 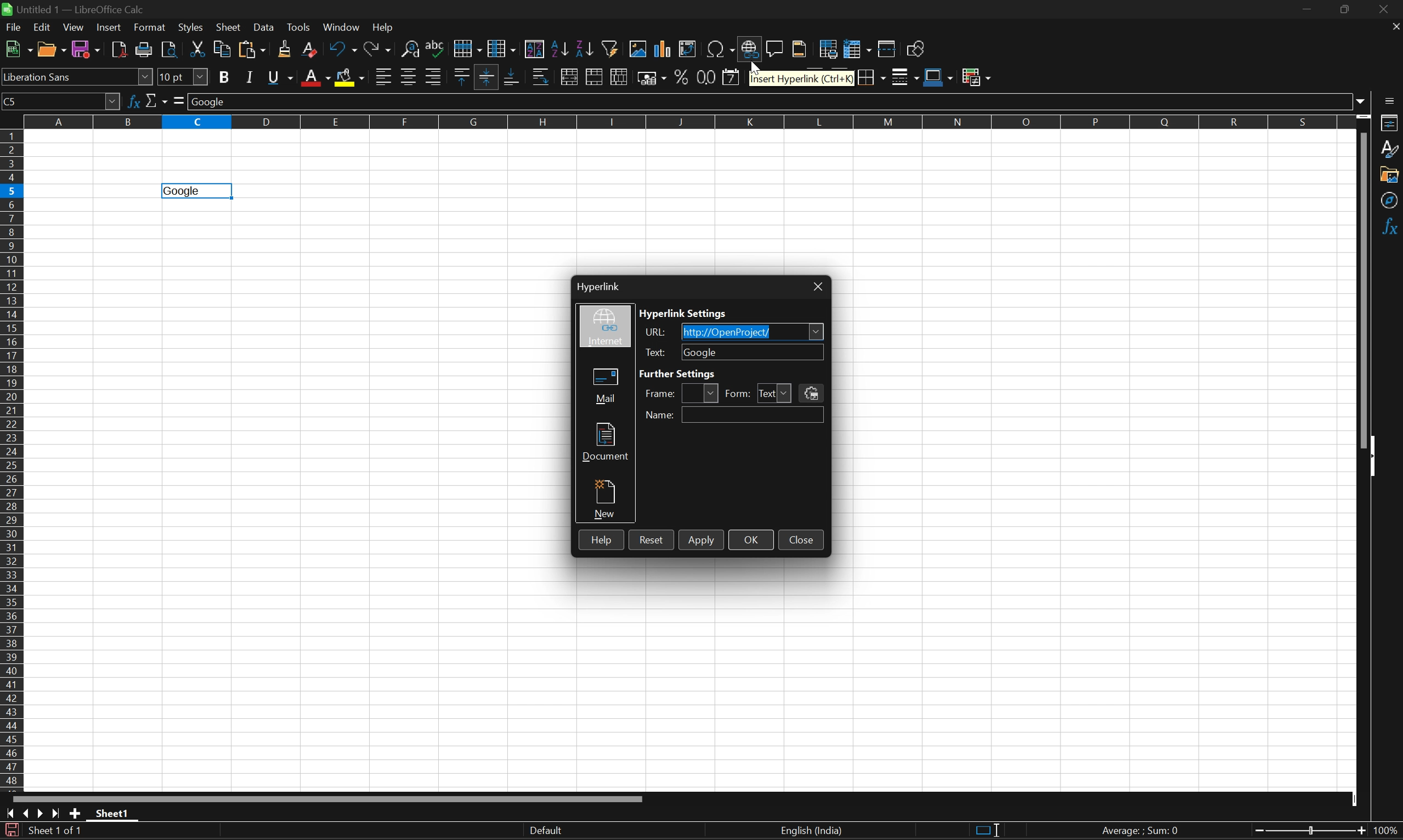 I want to click on Toggle print preview, so click(x=170, y=50).